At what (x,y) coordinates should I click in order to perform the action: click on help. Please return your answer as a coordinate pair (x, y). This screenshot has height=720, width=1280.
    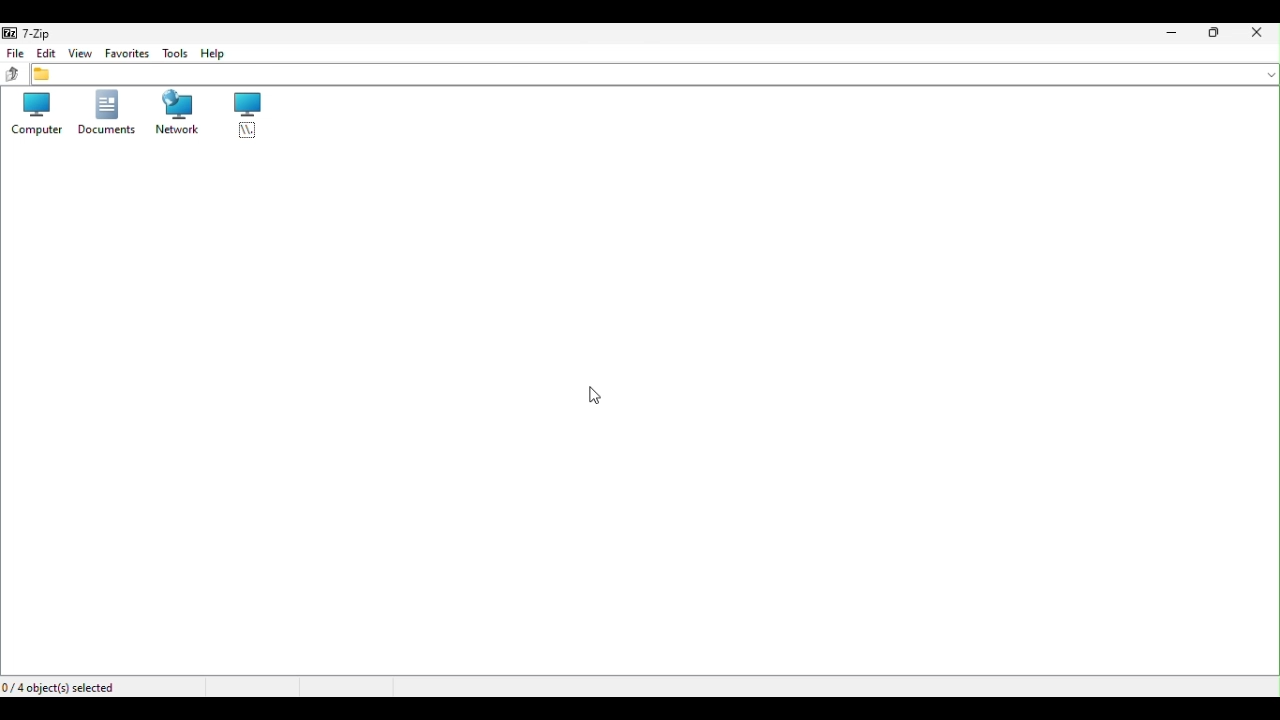
    Looking at the image, I should click on (213, 55).